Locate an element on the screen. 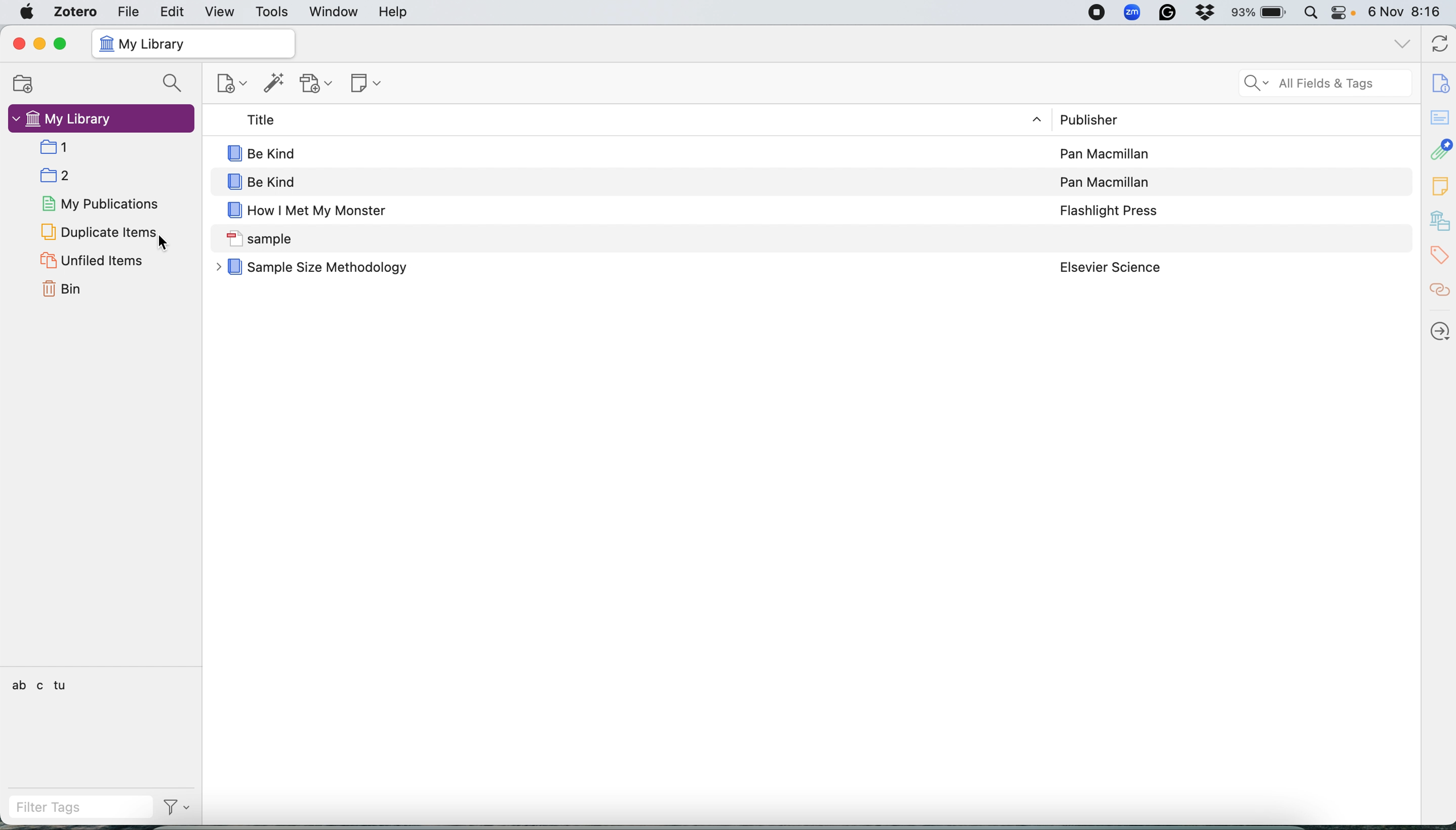  grammarly is located at coordinates (1169, 13).